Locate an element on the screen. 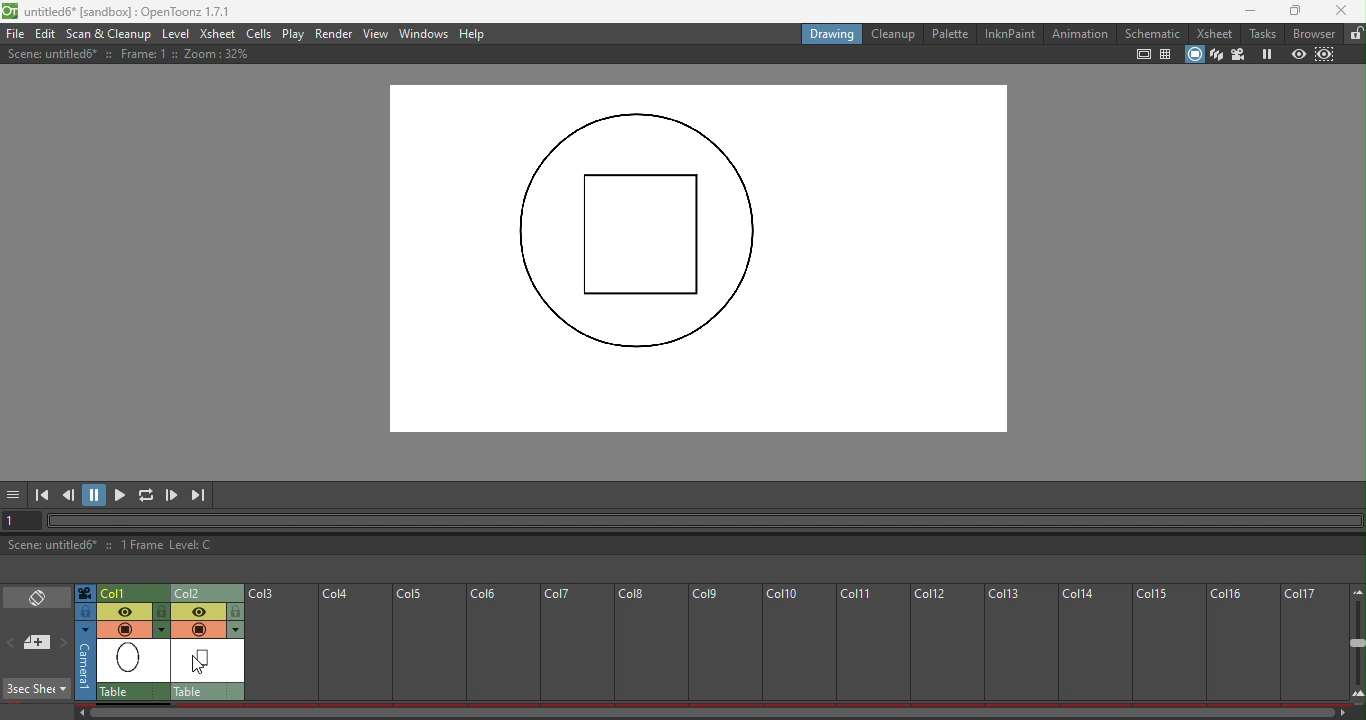  Help is located at coordinates (473, 34).